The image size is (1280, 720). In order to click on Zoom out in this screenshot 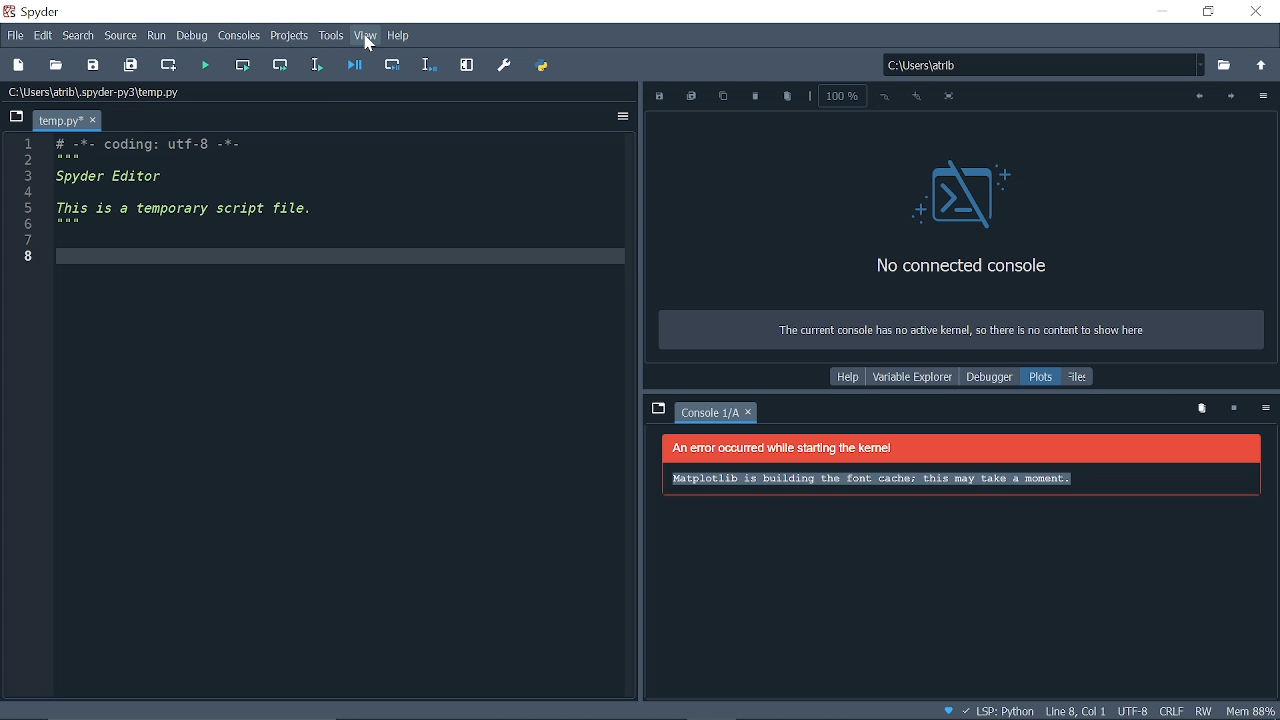, I will do `click(886, 97)`.